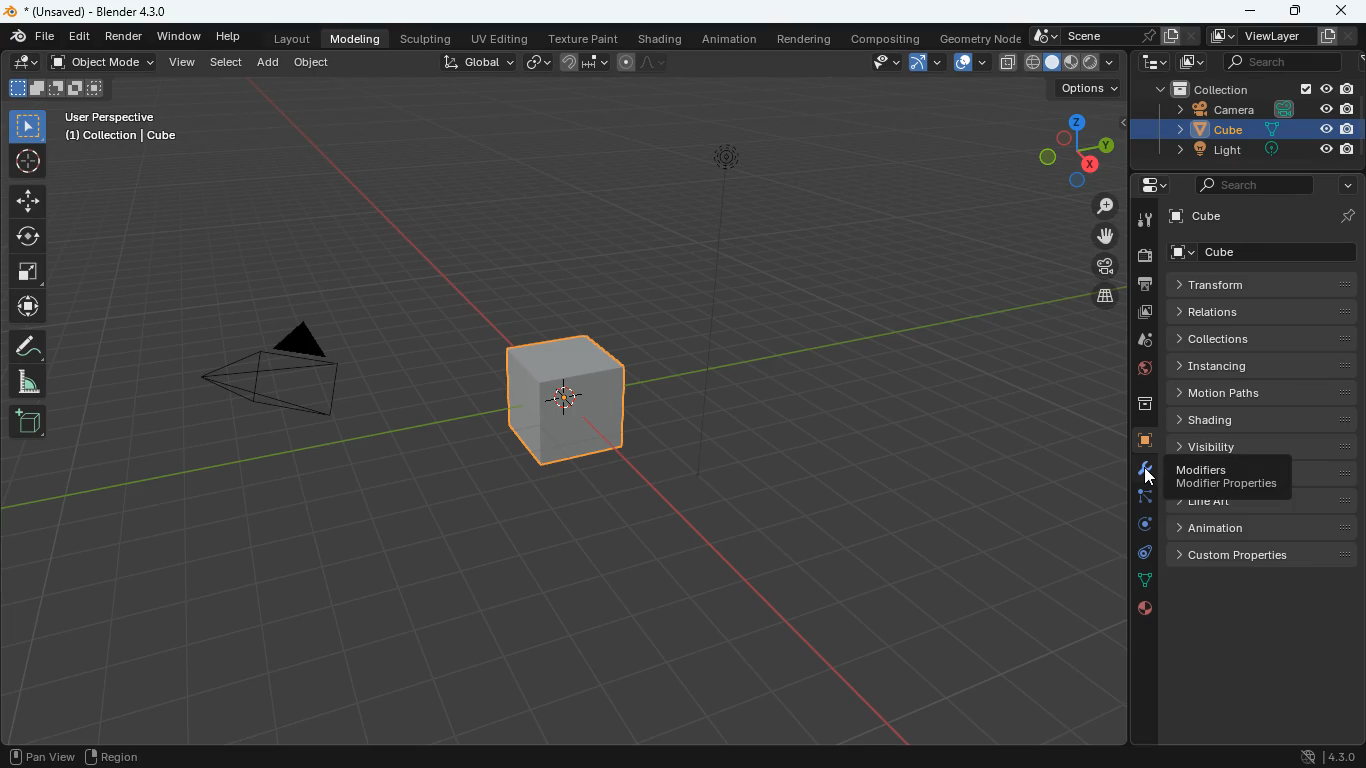 This screenshot has width=1366, height=768. I want to click on modeling, so click(359, 39).